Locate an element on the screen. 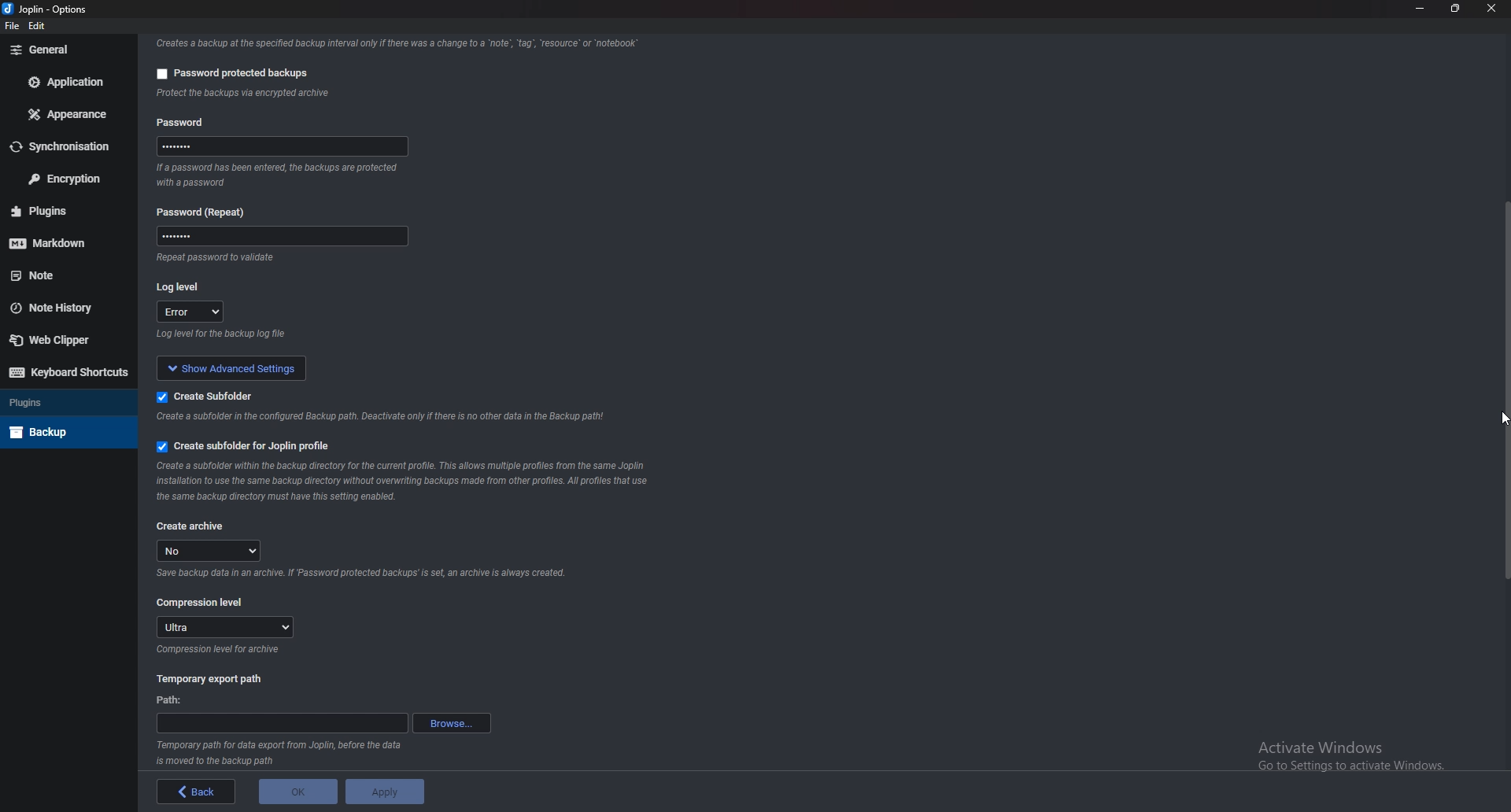 The width and height of the screenshot is (1511, 812). Markdown is located at coordinates (67, 241).